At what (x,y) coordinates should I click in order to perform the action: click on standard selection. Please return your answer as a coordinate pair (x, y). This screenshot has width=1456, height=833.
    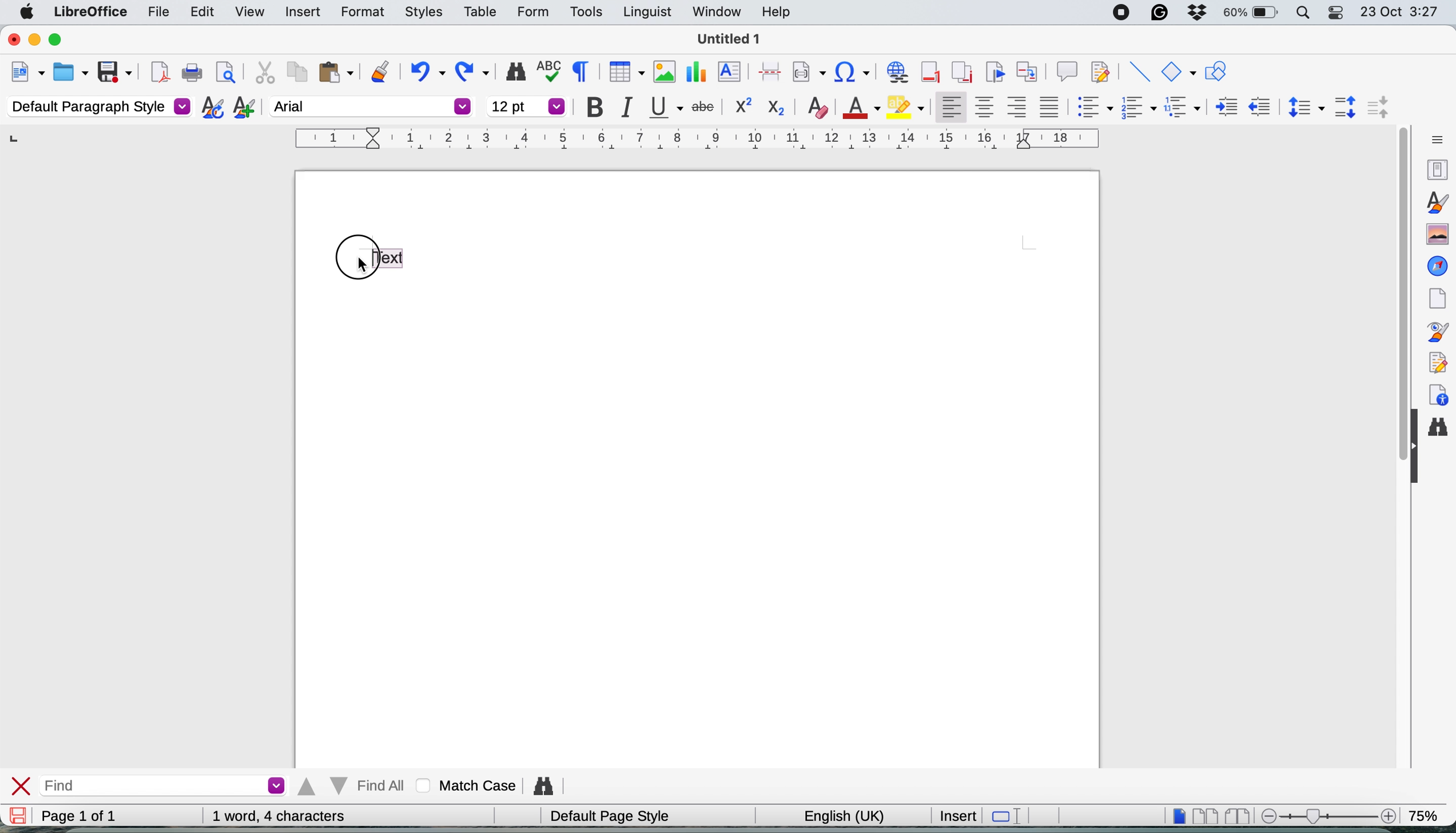
    Looking at the image, I should click on (1004, 815).